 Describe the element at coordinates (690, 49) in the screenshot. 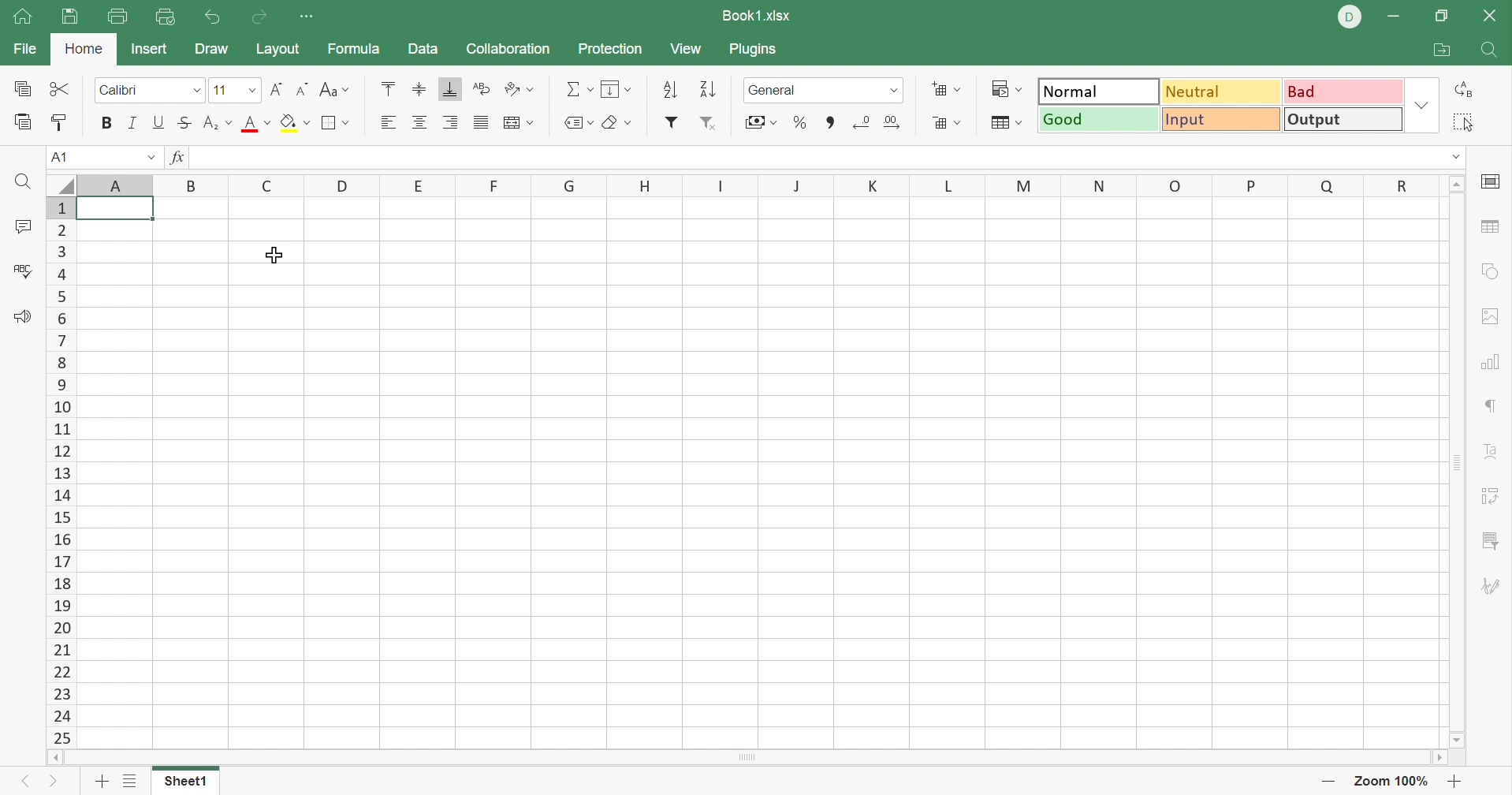

I see `View` at that location.